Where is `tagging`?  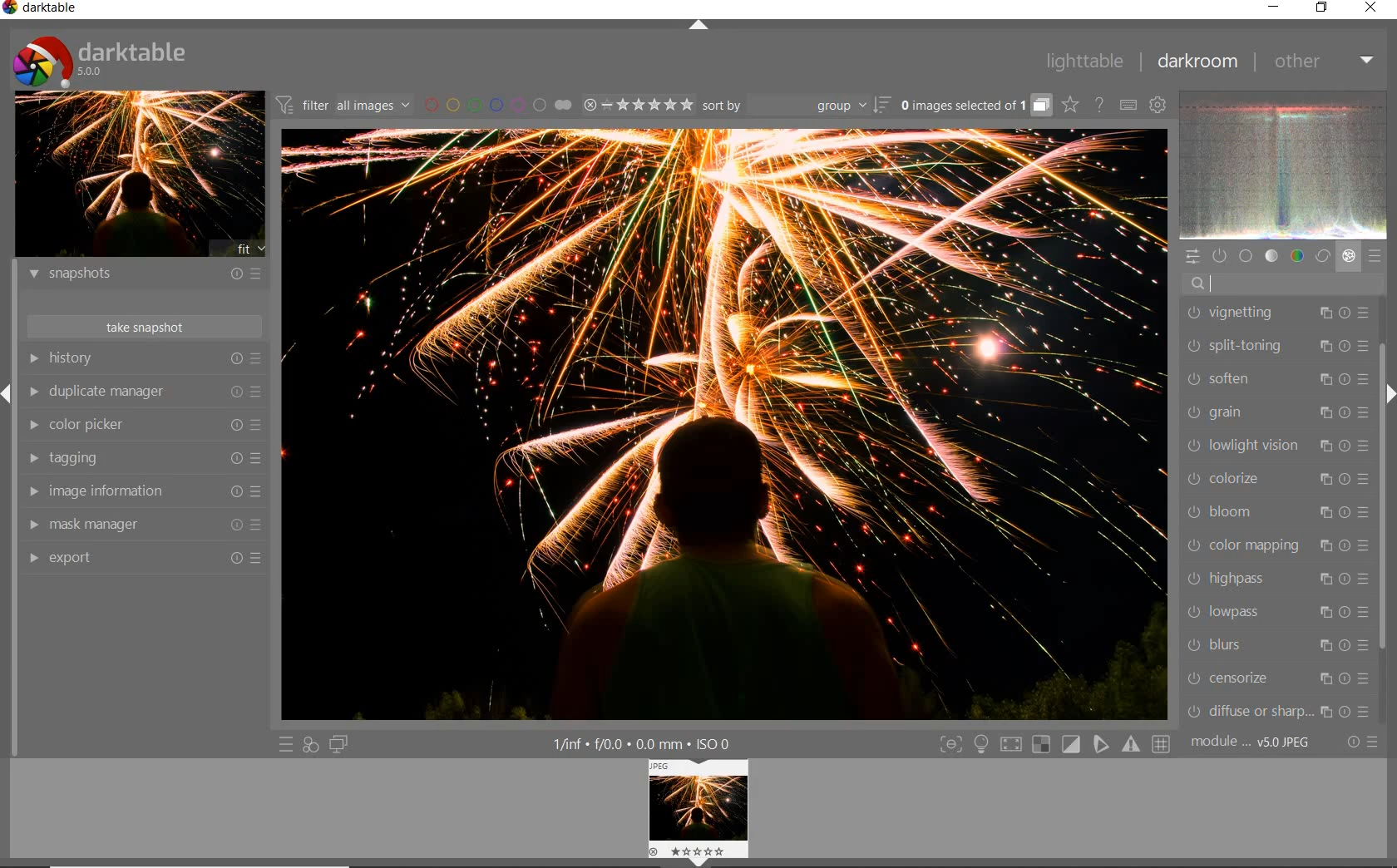 tagging is located at coordinates (144, 460).